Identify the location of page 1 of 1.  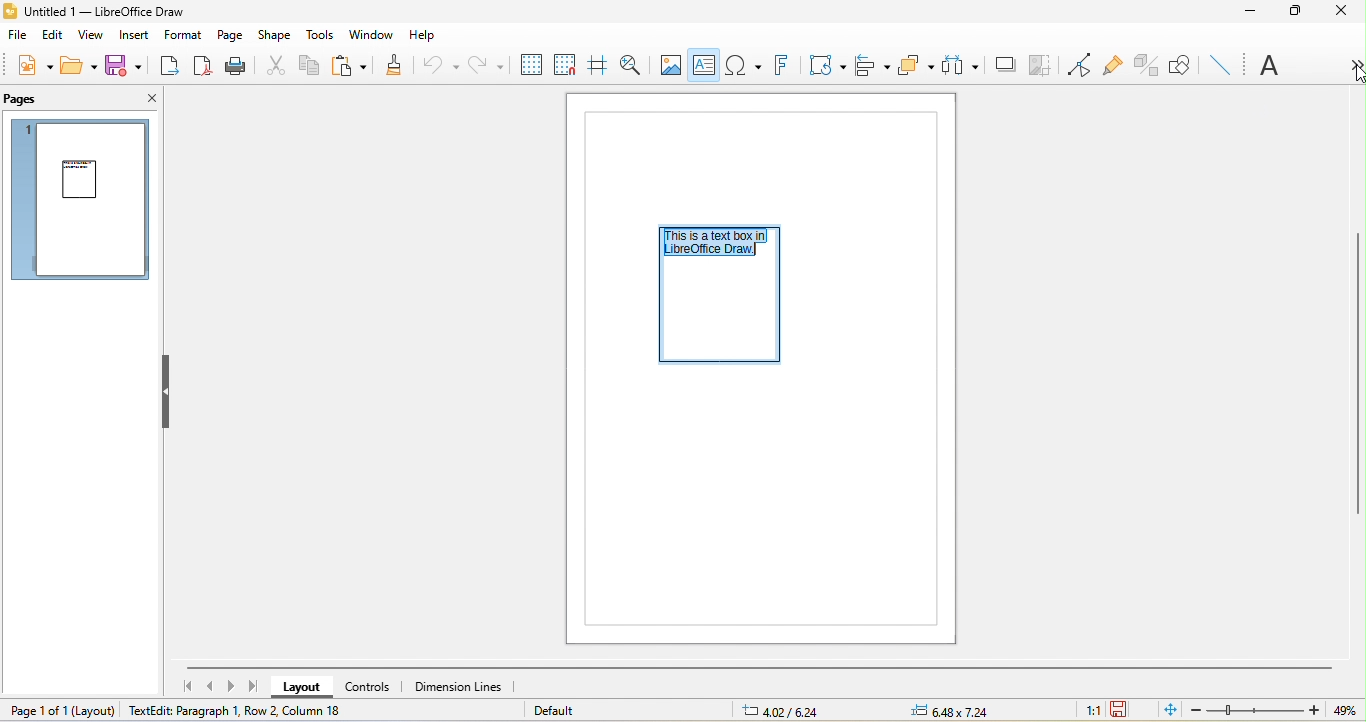
(60, 712).